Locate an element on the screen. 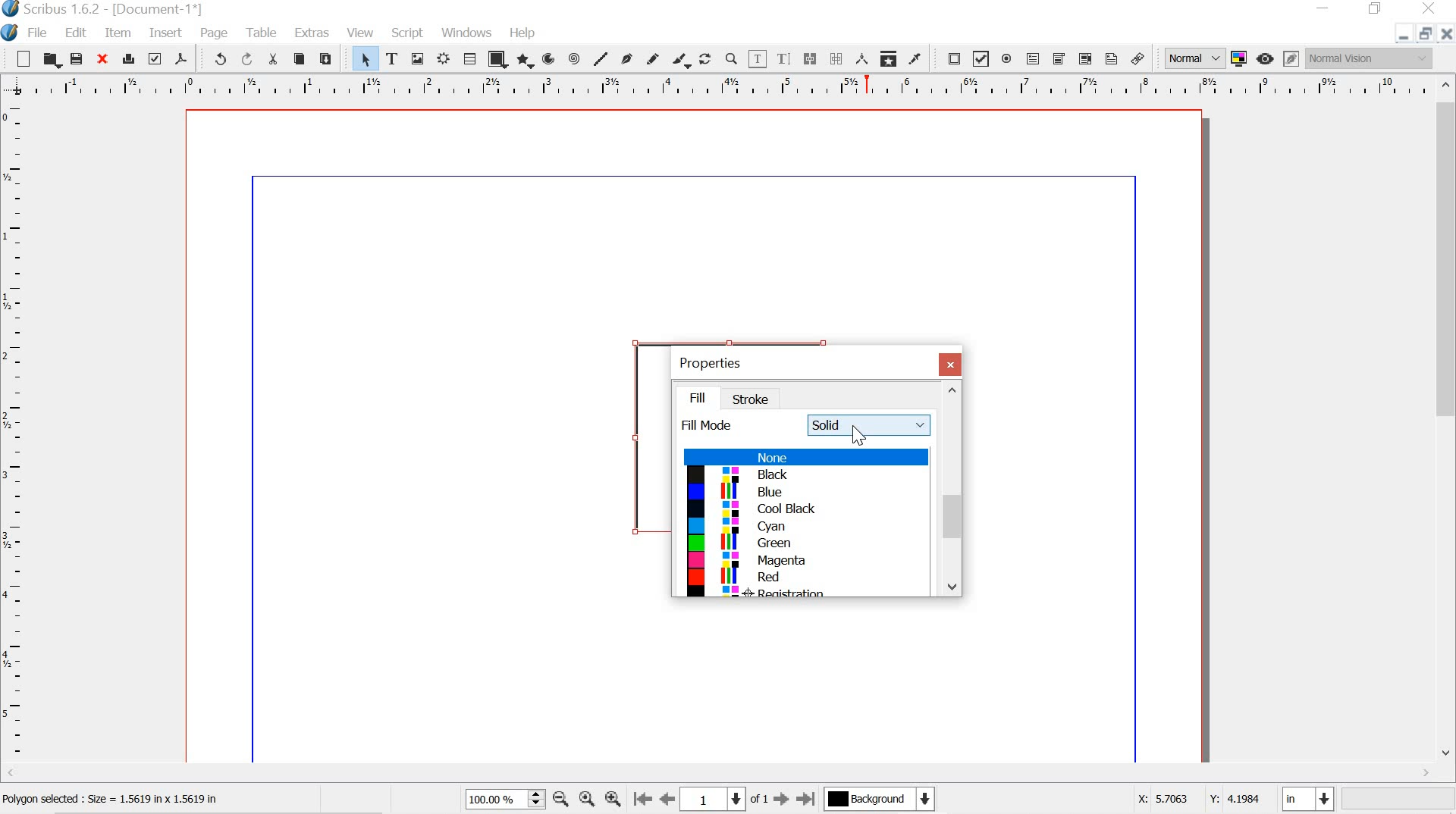 The image size is (1456, 814). edit text with story editor is located at coordinates (786, 59).